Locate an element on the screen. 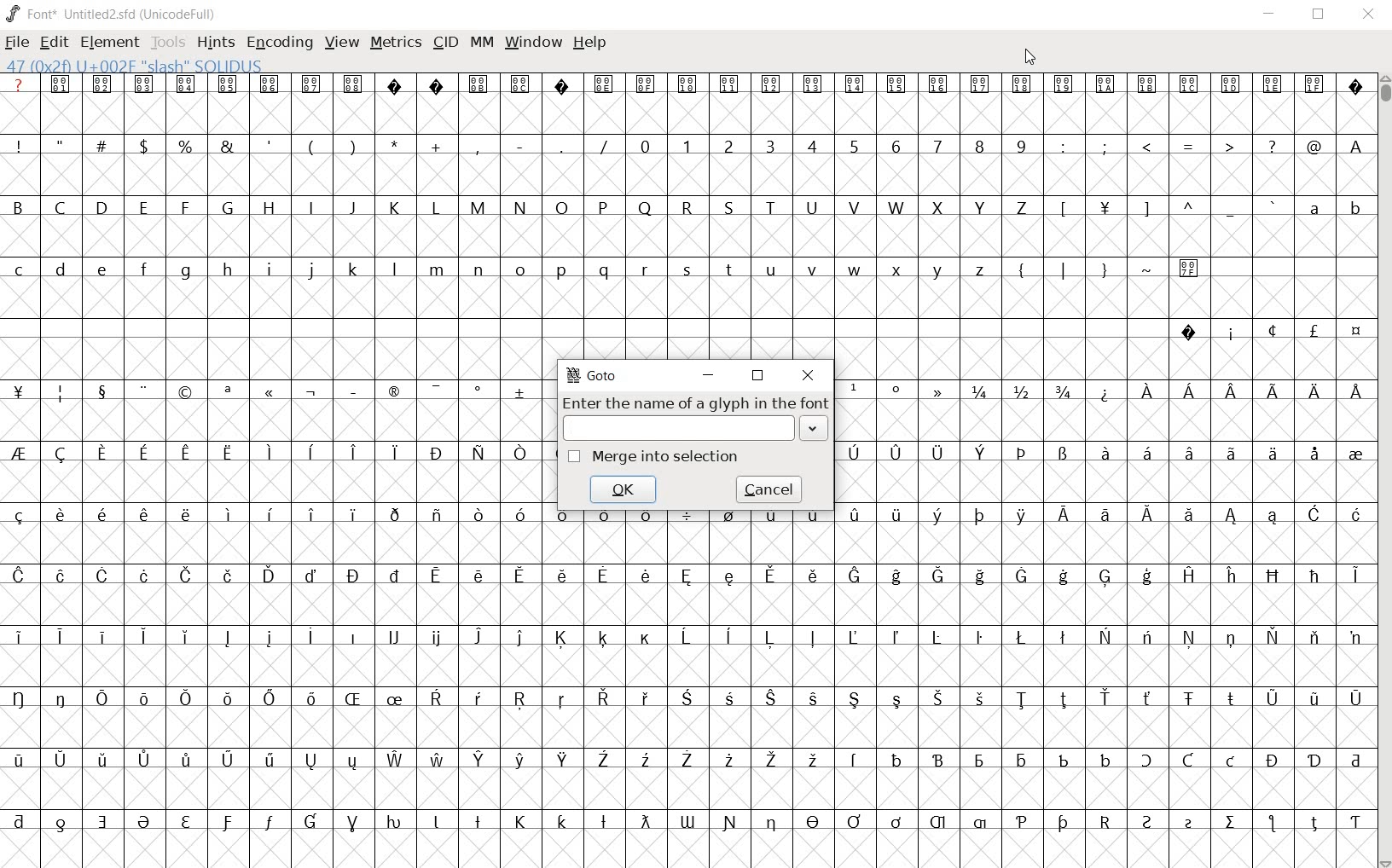 Image resolution: width=1392 pixels, height=868 pixels. MINIMIZE is located at coordinates (1268, 16).